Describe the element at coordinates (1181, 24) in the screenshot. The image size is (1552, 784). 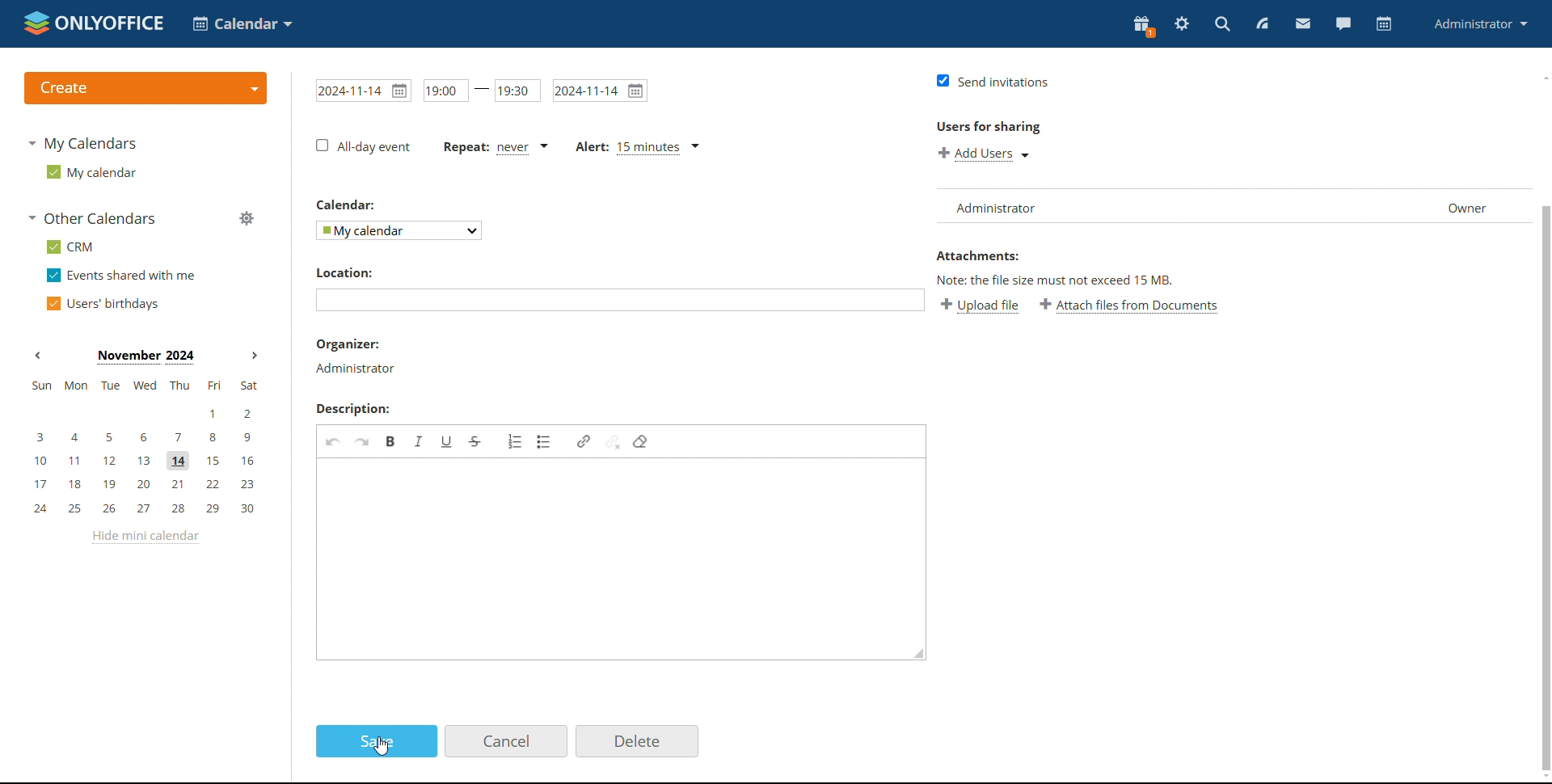
I see `settings` at that location.